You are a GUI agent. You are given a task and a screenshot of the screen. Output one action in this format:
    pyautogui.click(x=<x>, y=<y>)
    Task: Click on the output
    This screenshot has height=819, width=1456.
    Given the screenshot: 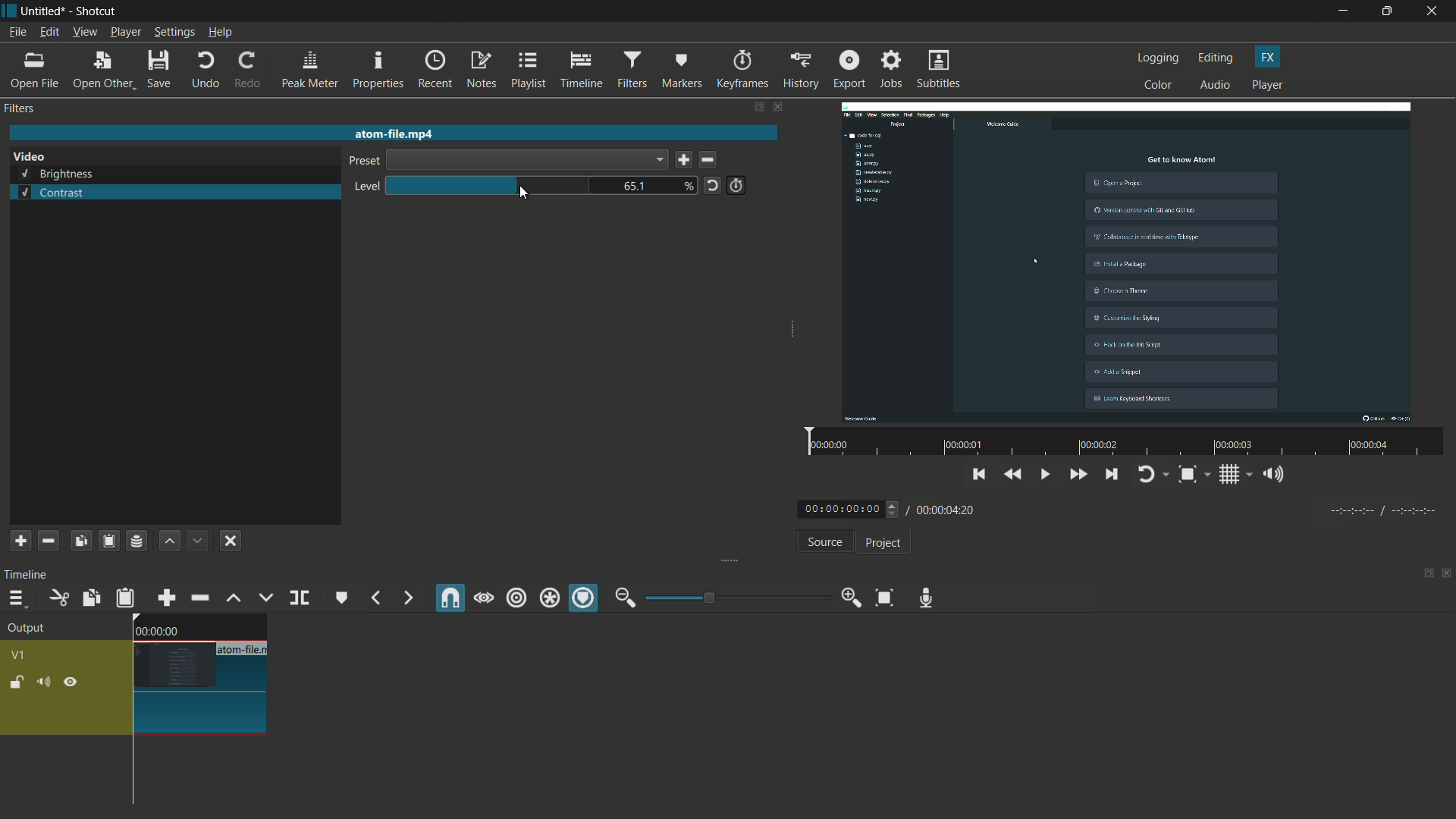 What is the action you would take?
    pyautogui.click(x=31, y=629)
    